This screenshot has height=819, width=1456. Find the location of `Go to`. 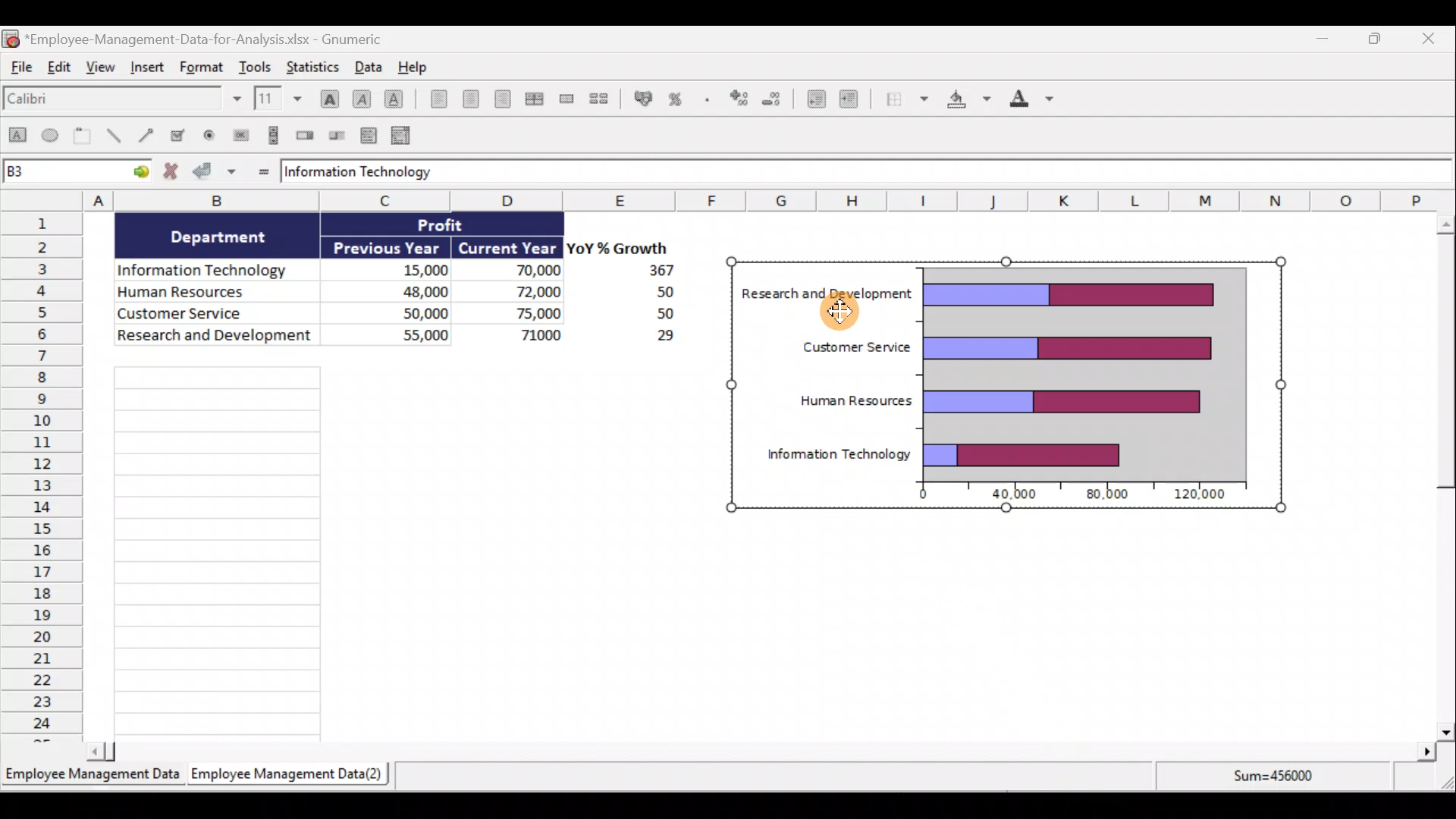

Go to is located at coordinates (138, 174).